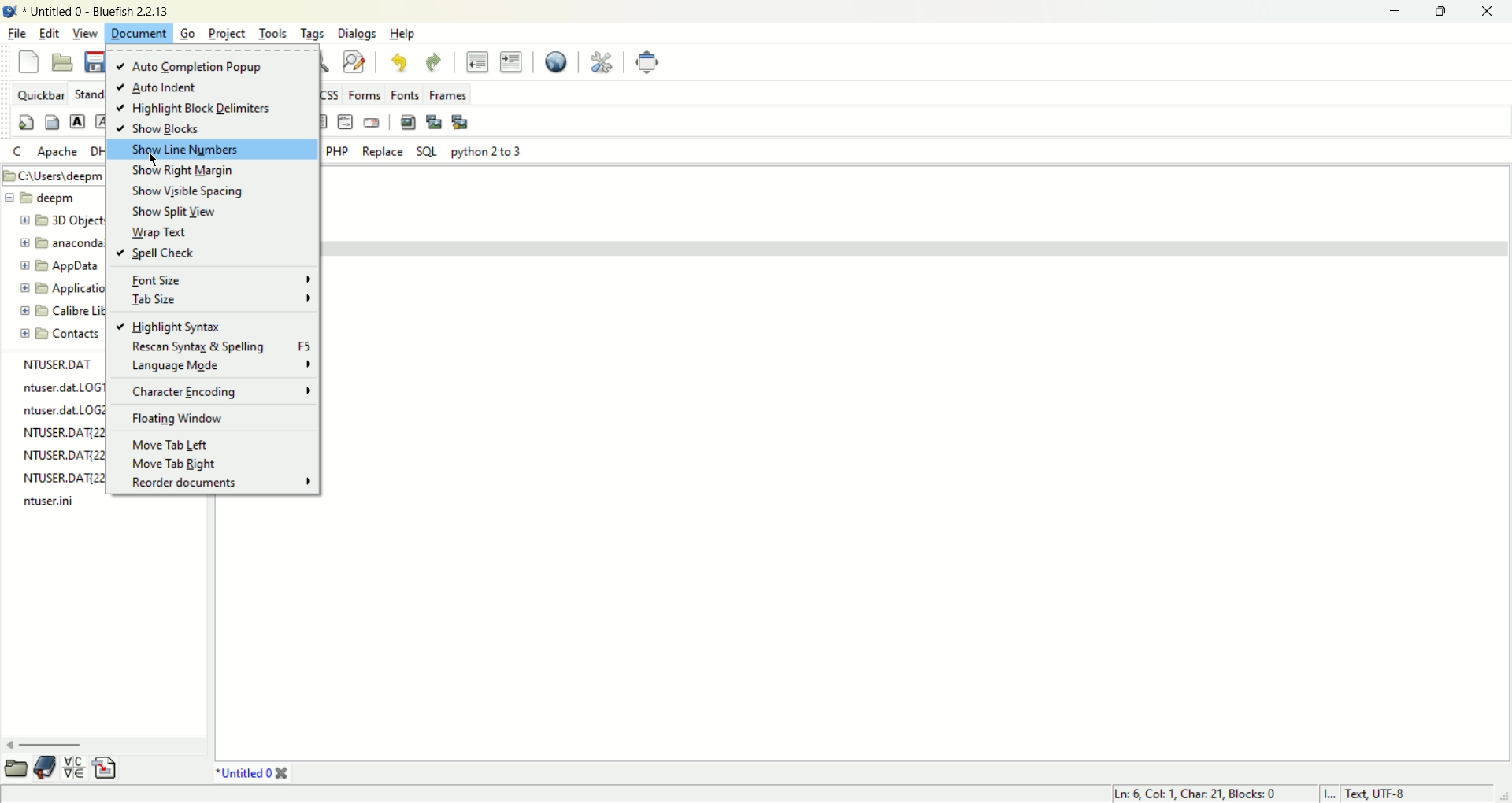 Image resolution: width=1512 pixels, height=803 pixels. Describe the element at coordinates (96, 62) in the screenshot. I see `save current file` at that location.